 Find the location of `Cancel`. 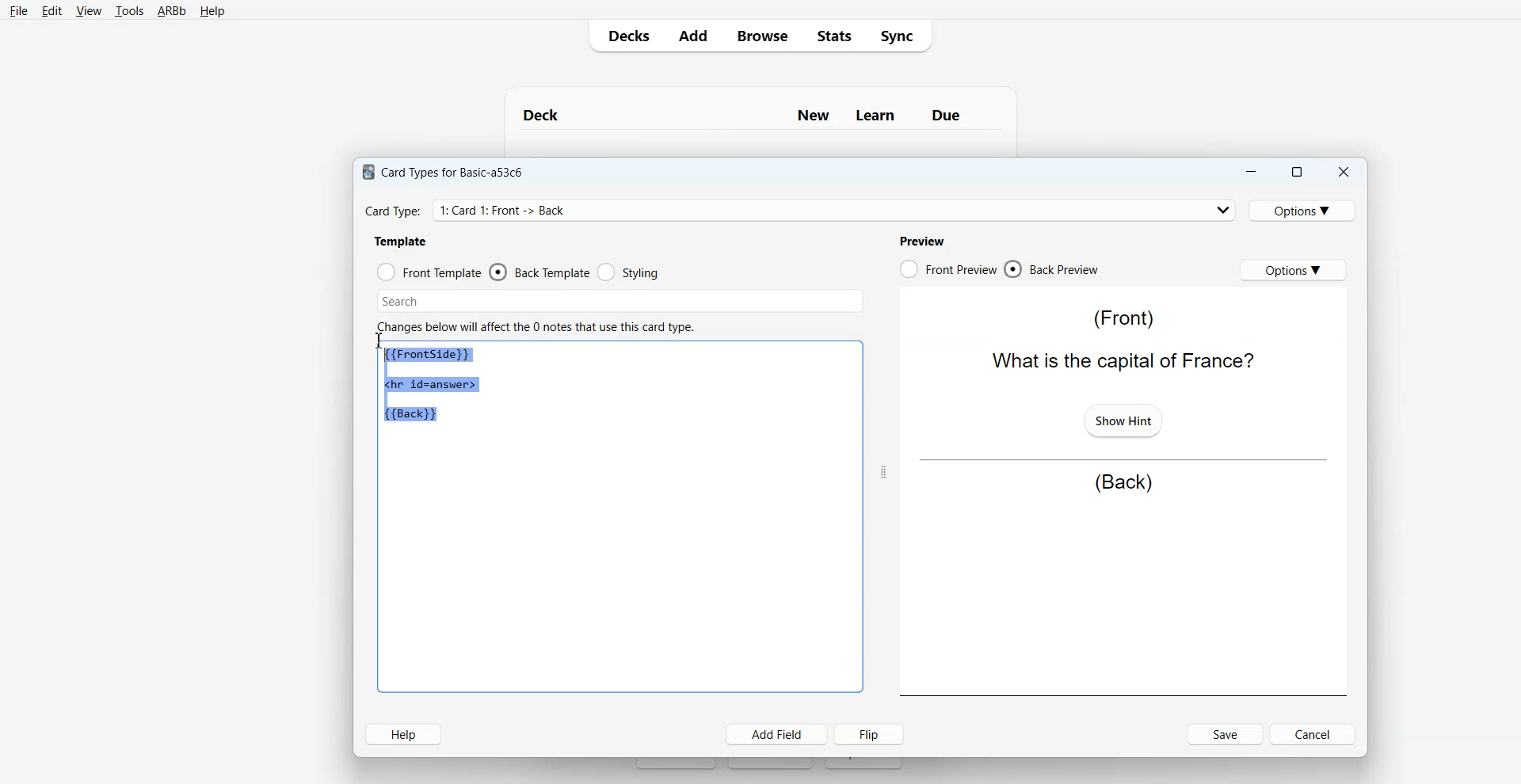

Cancel is located at coordinates (1315, 733).